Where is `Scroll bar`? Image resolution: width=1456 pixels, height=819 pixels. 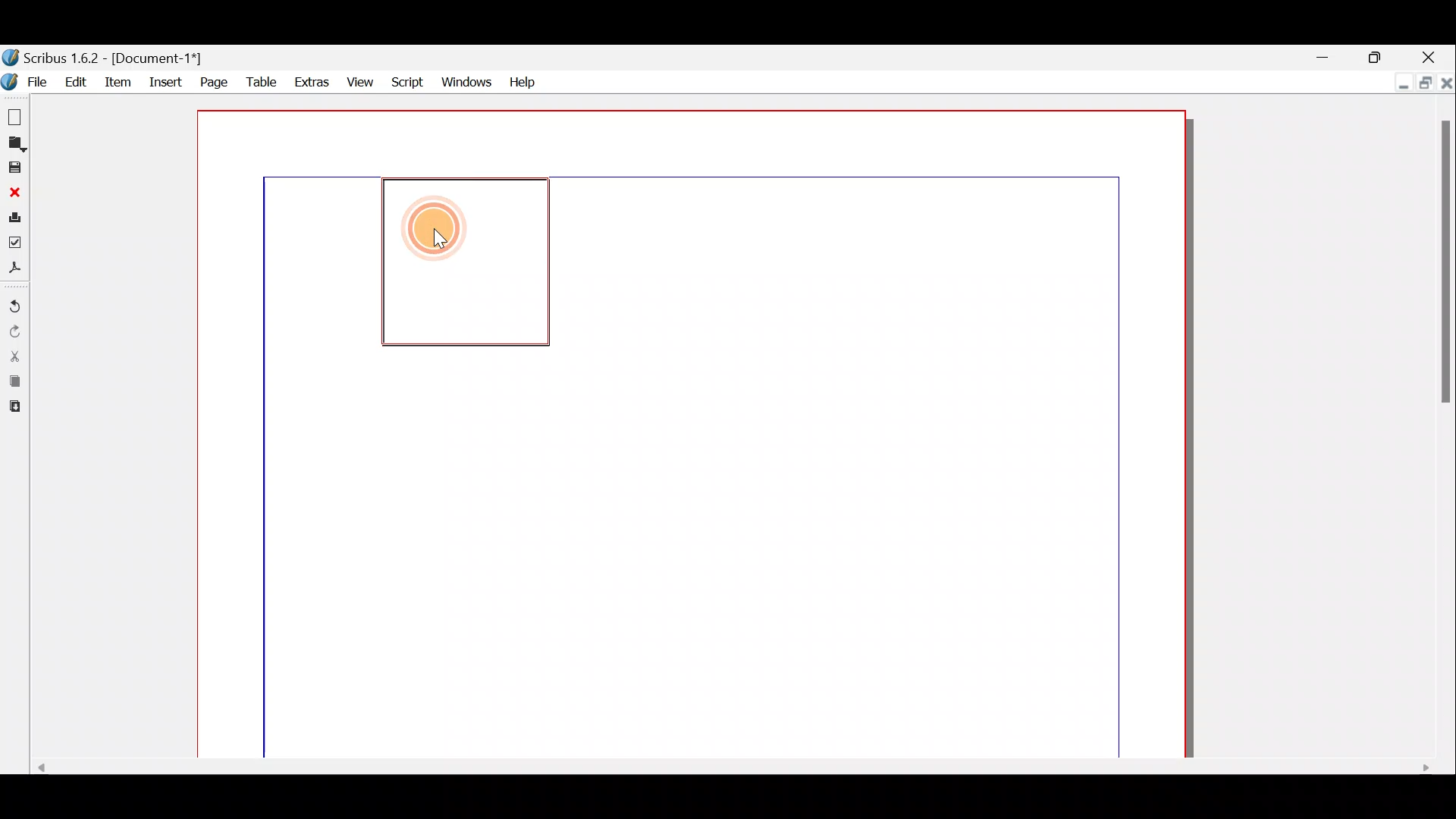 Scroll bar is located at coordinates (1445, 429).